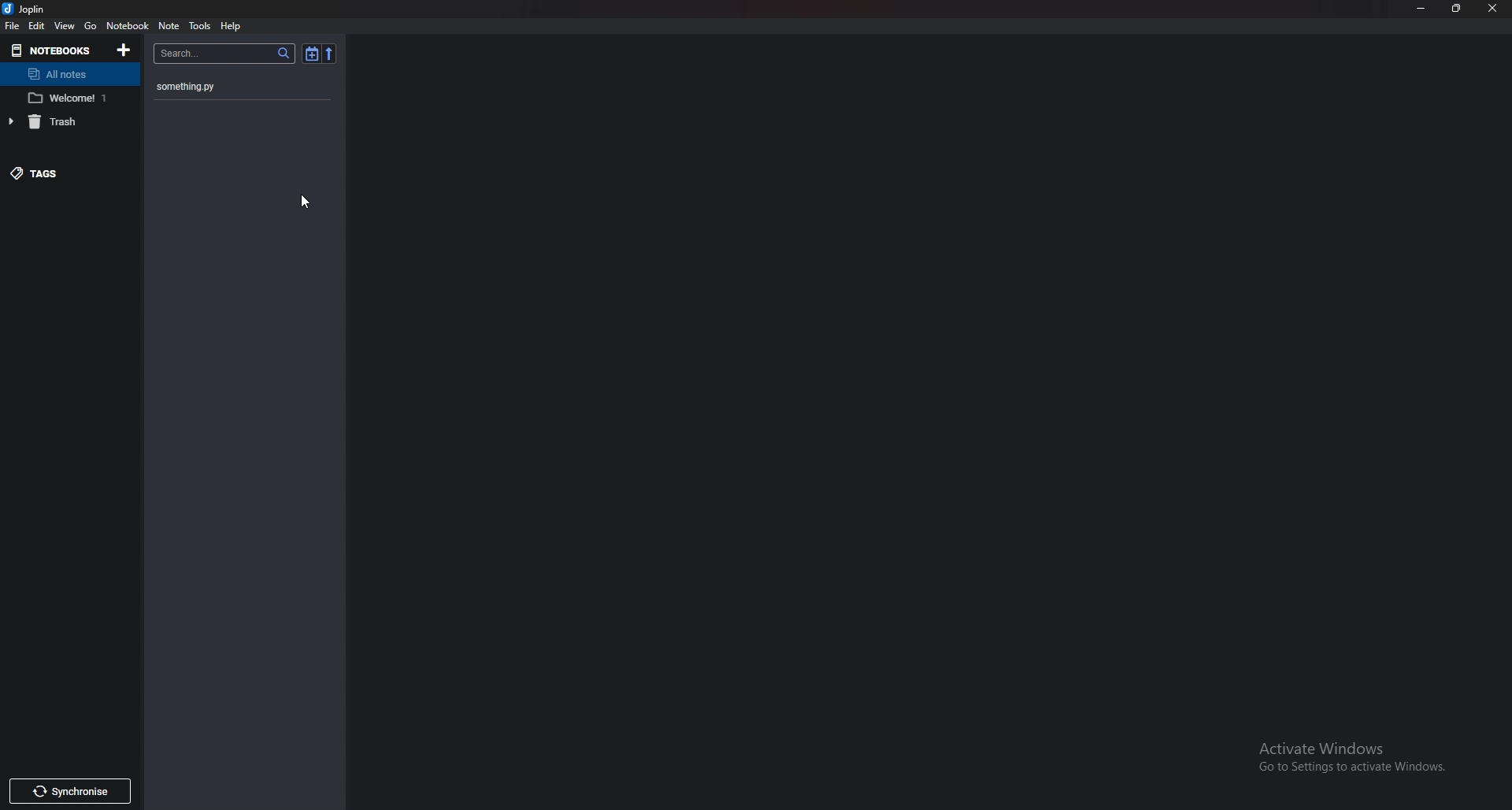 The height and width of the screenshot is (810, 1512). What do you see at coordinates (128, 26) in the screenshot?
I see `Notebook` at bounding box center [128, 26].